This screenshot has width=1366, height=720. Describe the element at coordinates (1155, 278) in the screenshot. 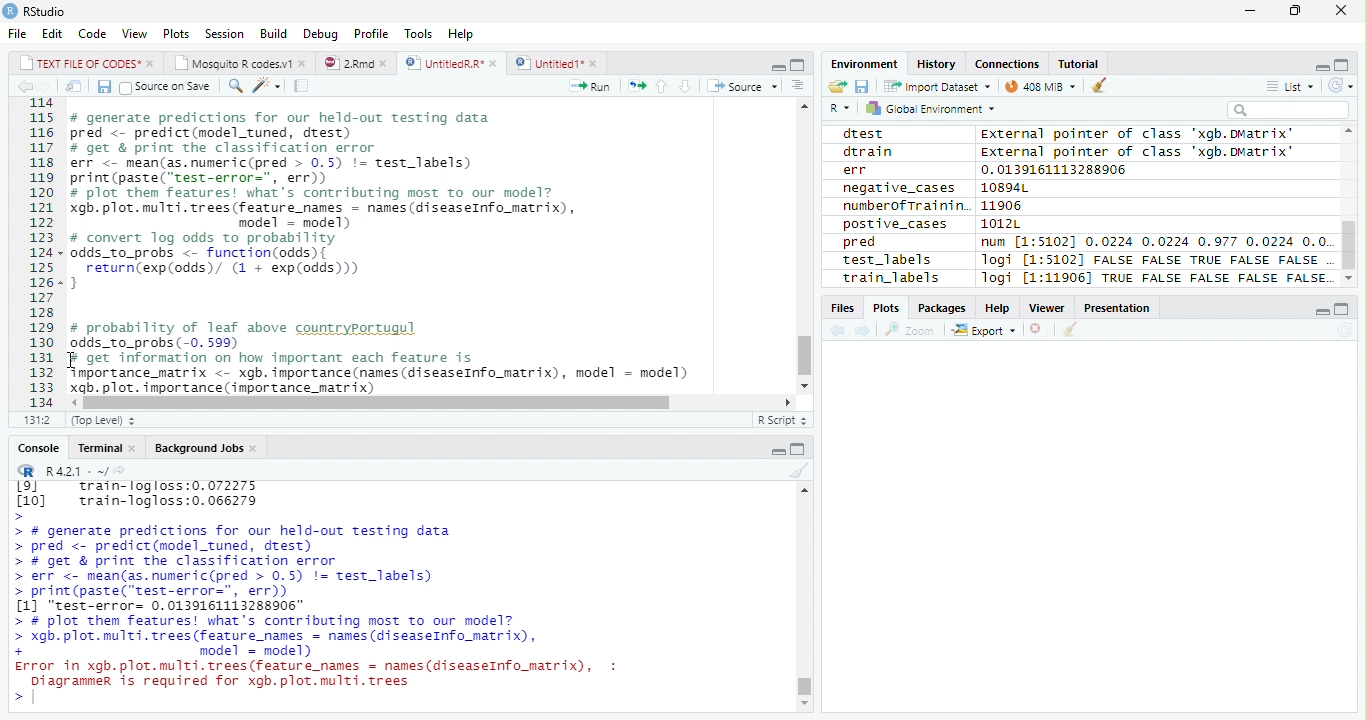

I see `Jogi [1:11906] TRUE FALSE FALSE FALSE FALSE.` at that location.